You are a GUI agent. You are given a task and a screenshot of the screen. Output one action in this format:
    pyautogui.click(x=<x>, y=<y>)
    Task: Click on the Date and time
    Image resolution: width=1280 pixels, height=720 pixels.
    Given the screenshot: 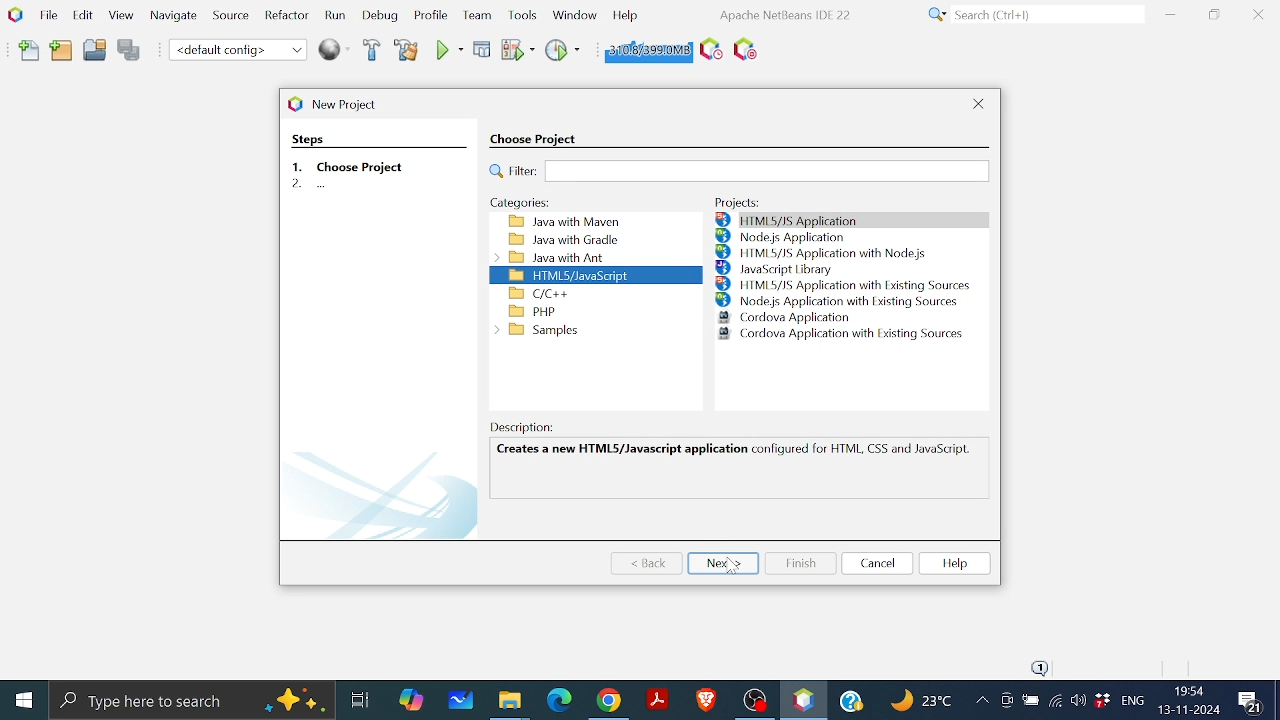 What is the action you would take?
    pyautogui.click(x=1184, y=698)
    